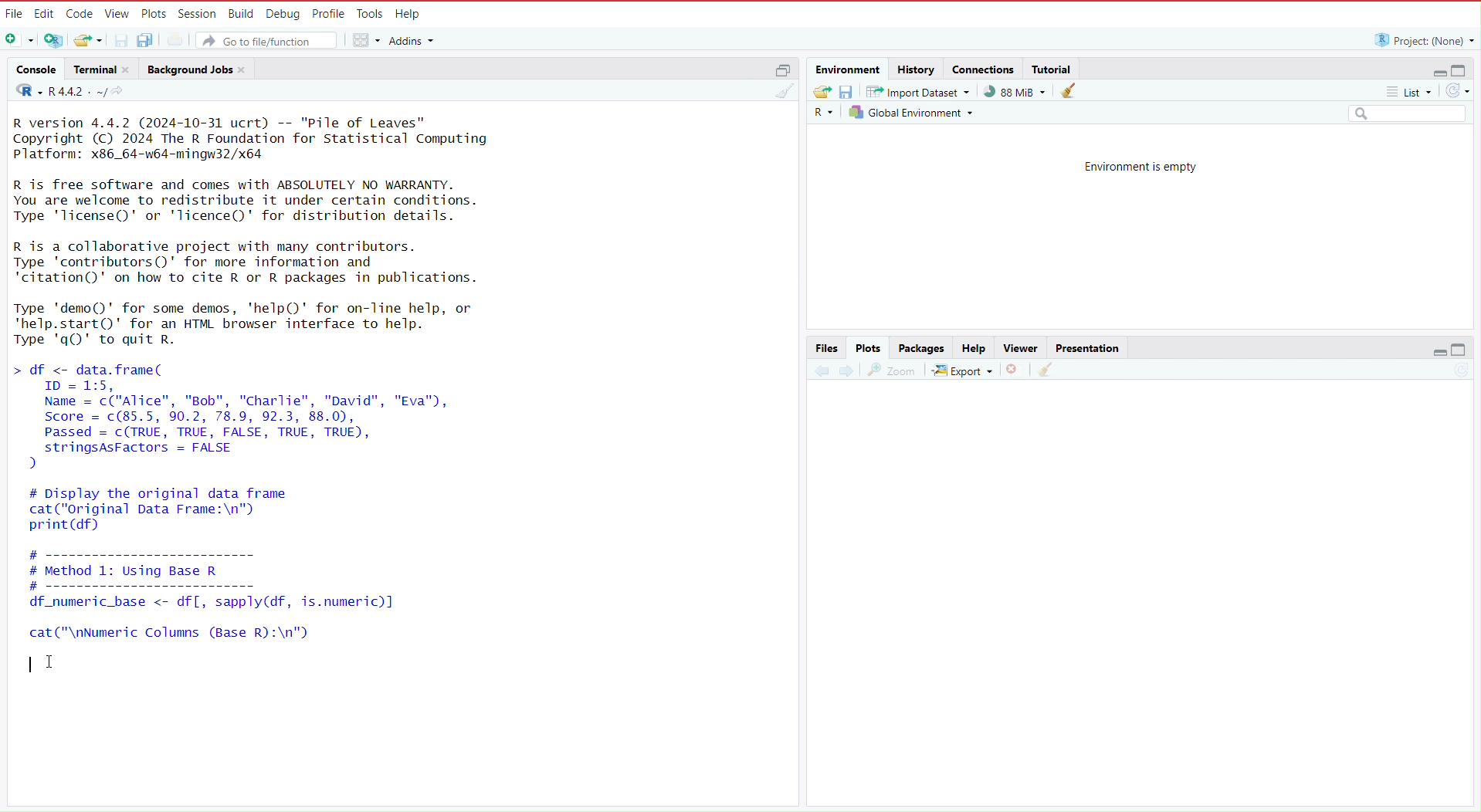 The image size is (1481, 812). I want to click on clear objects from the workspace, so click(1068, 91).